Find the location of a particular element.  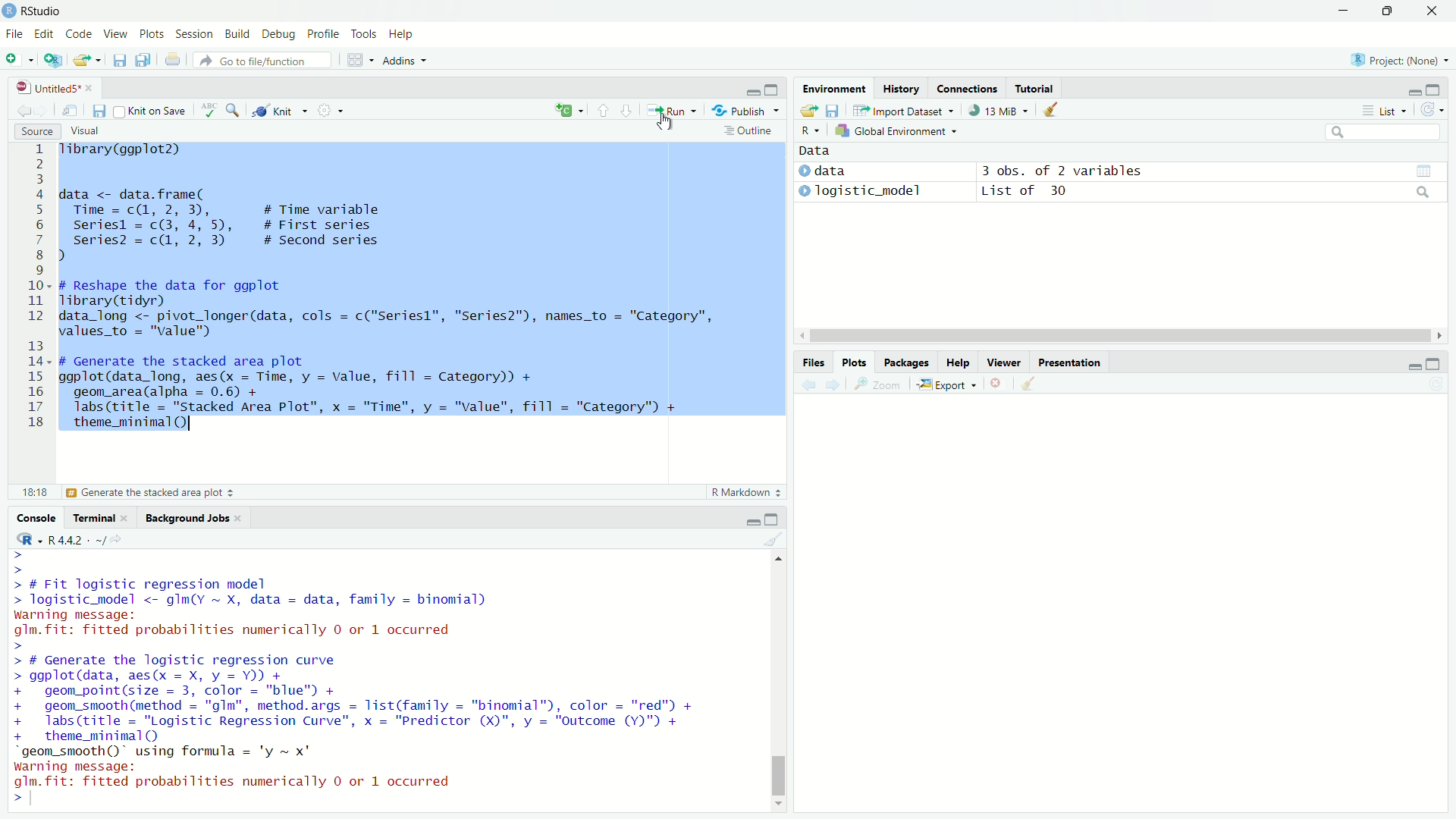

Terminal is located at coordinates (97, 517).